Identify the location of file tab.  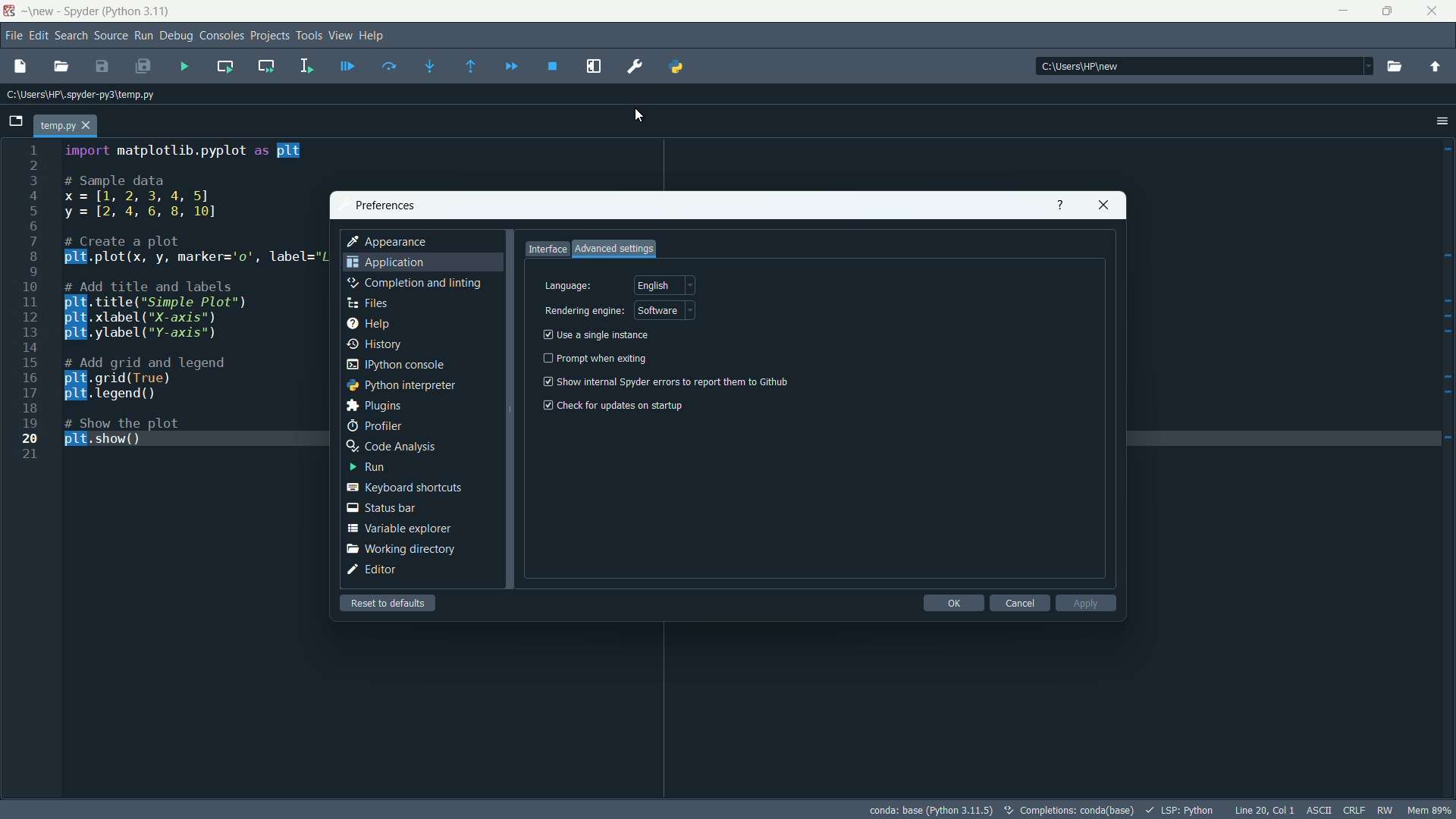
(65, 127).